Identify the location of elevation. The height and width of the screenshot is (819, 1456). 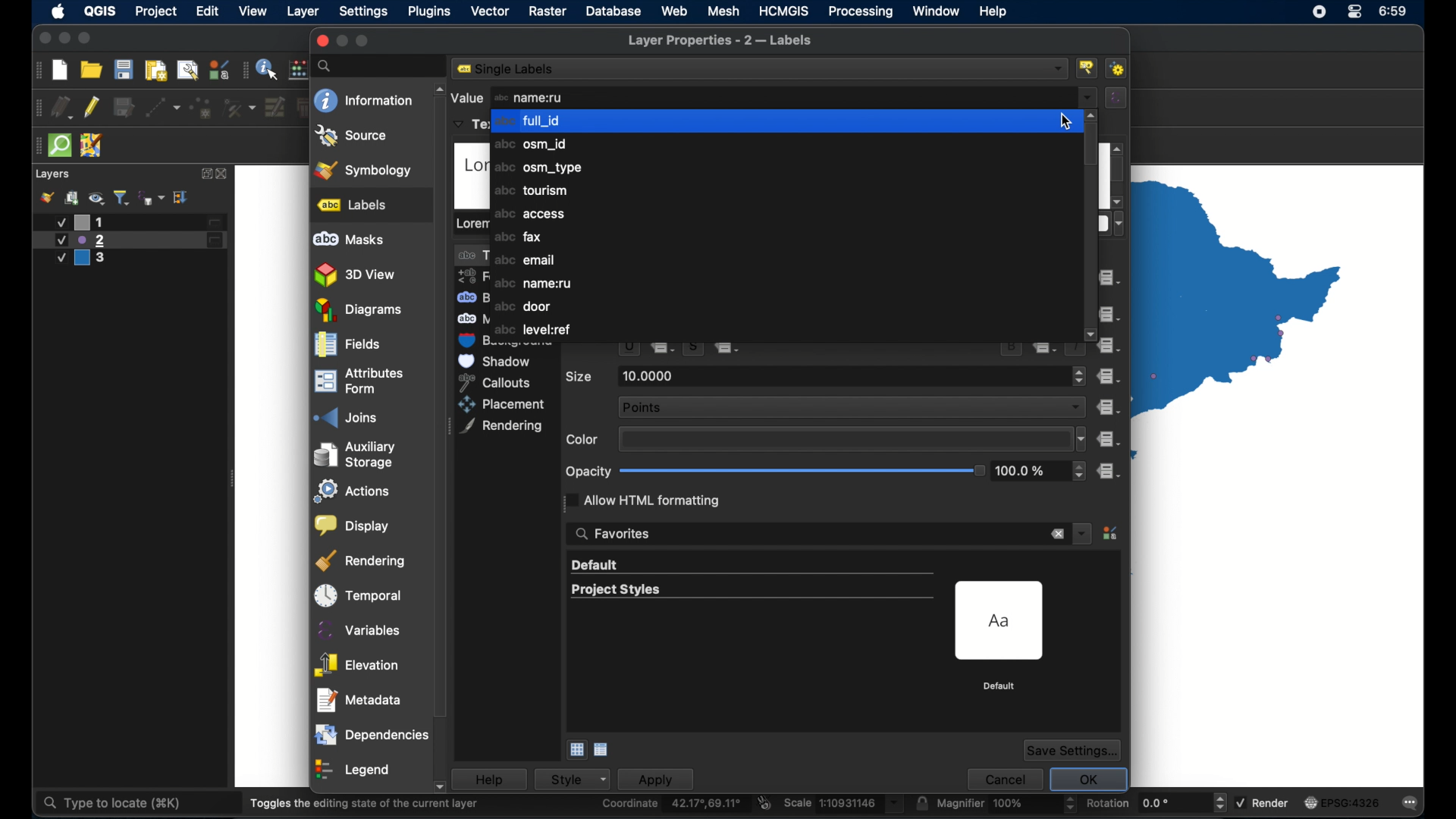
(357, 661).